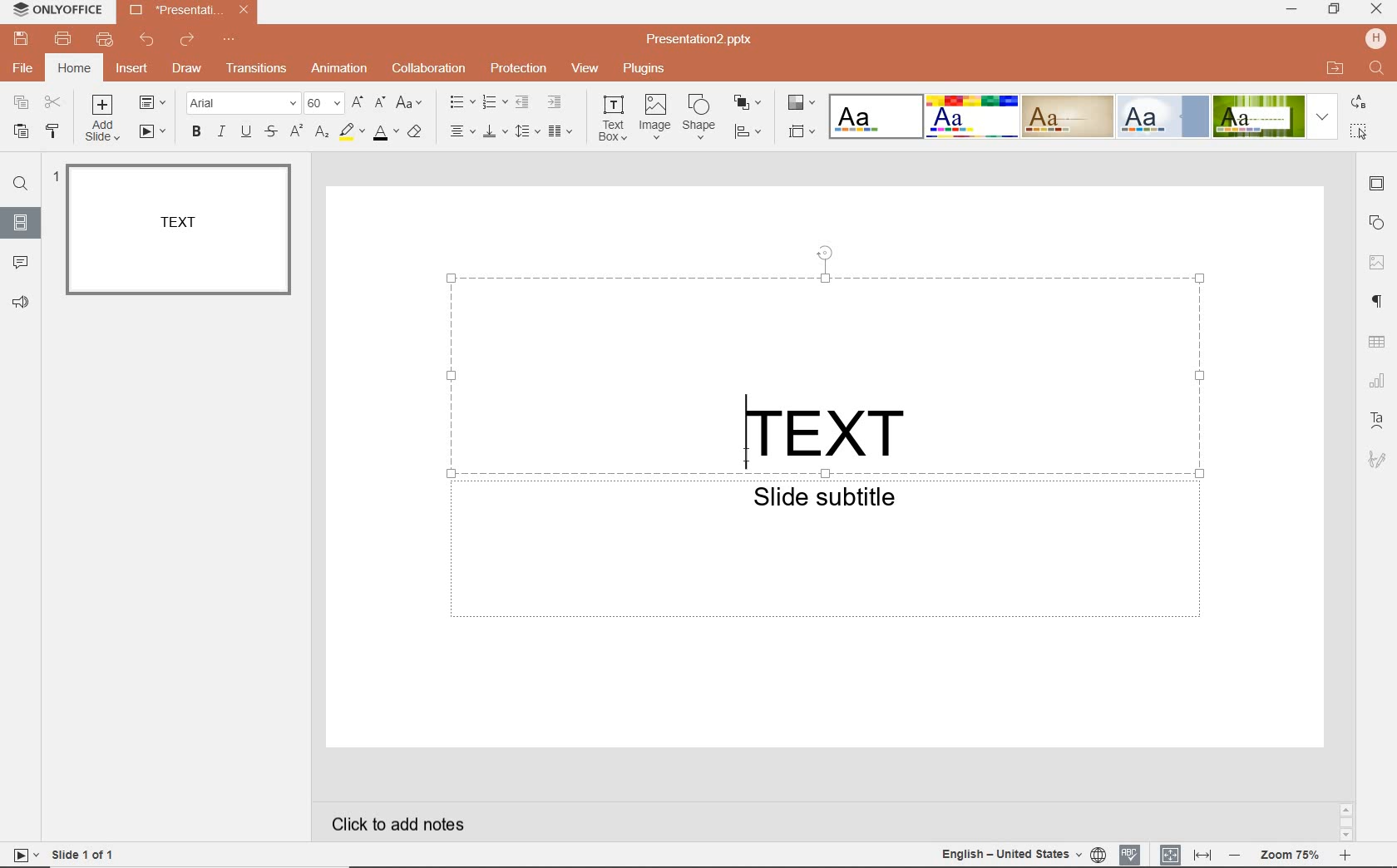  Describe the element at coordinates (410, 103) in the screenshot. I see `CHANGE CASE` at that location.